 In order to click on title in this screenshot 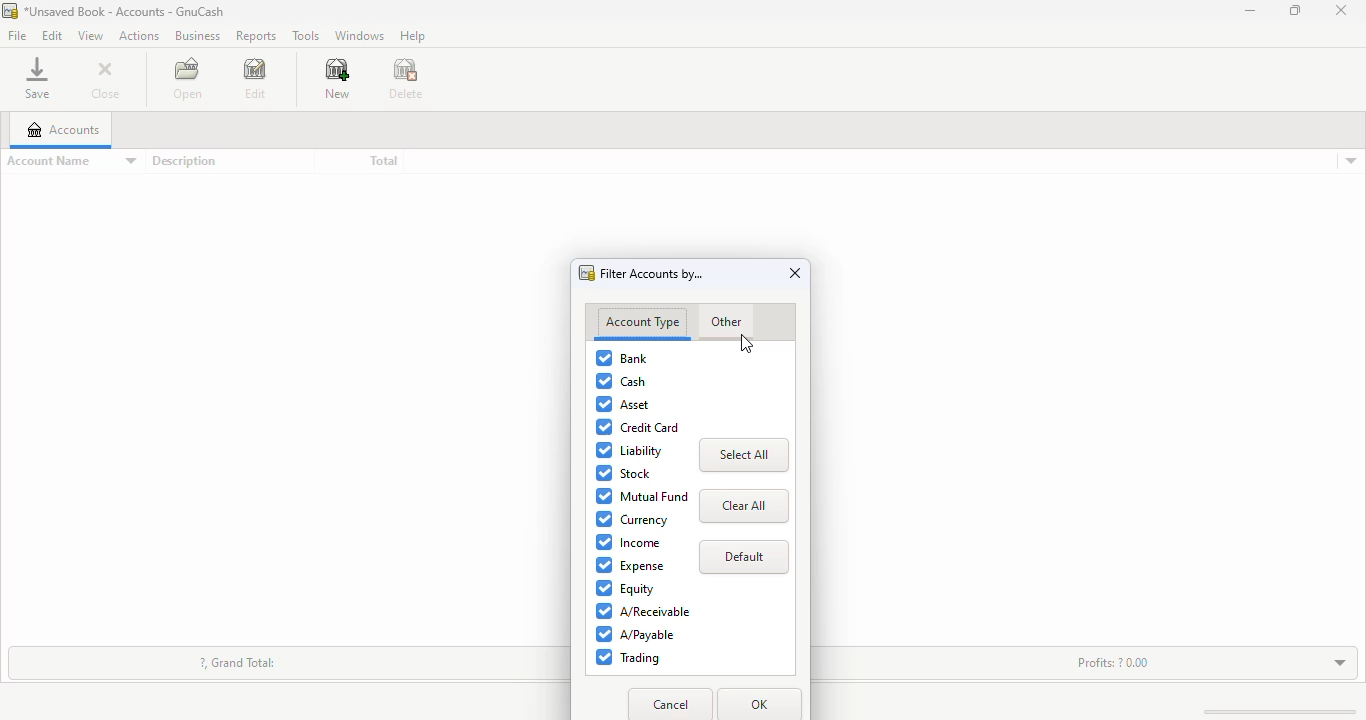, I will do `click(124, 11)`.